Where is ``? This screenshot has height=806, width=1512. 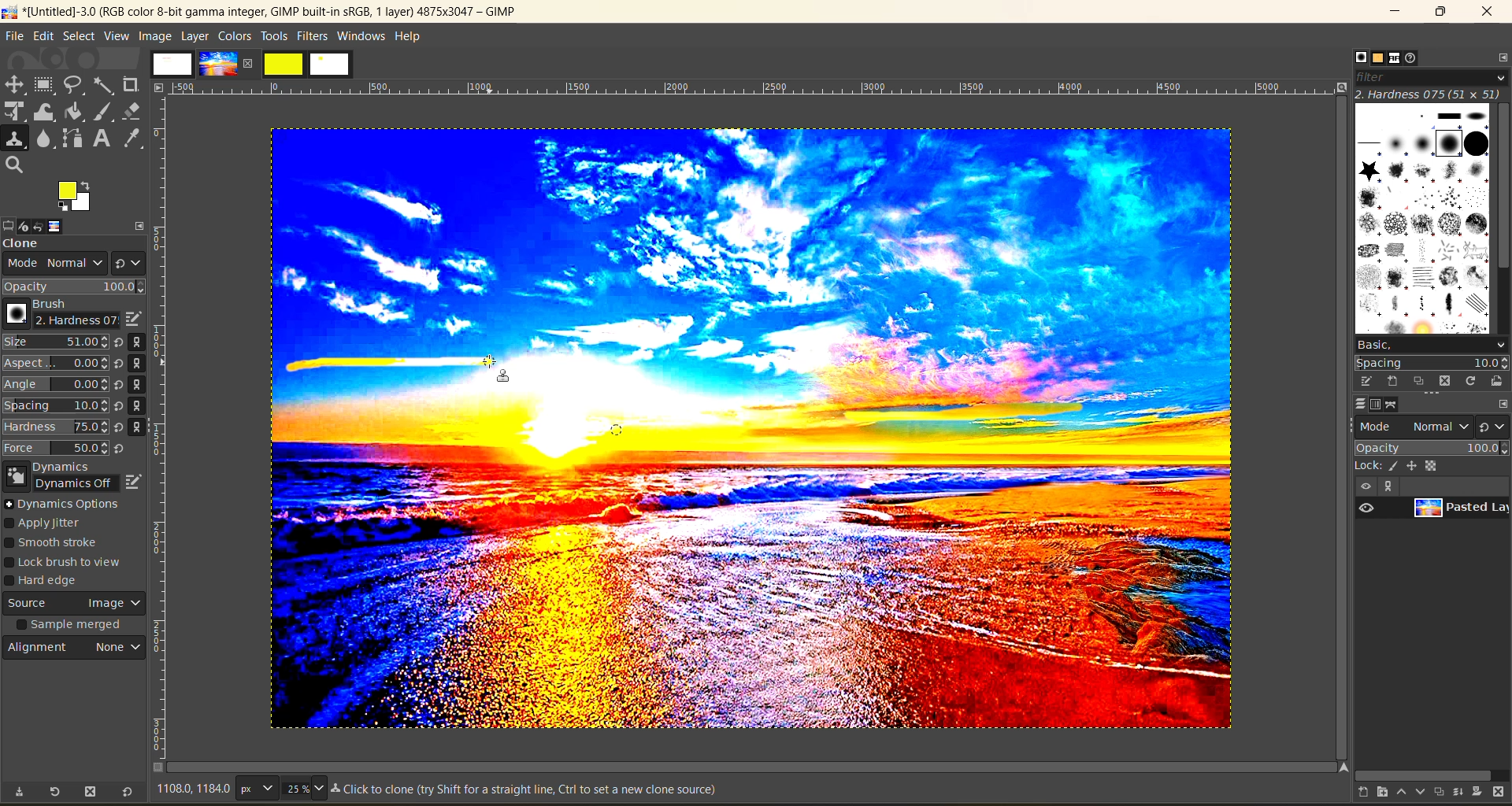  is located at coordinates (159, 87).